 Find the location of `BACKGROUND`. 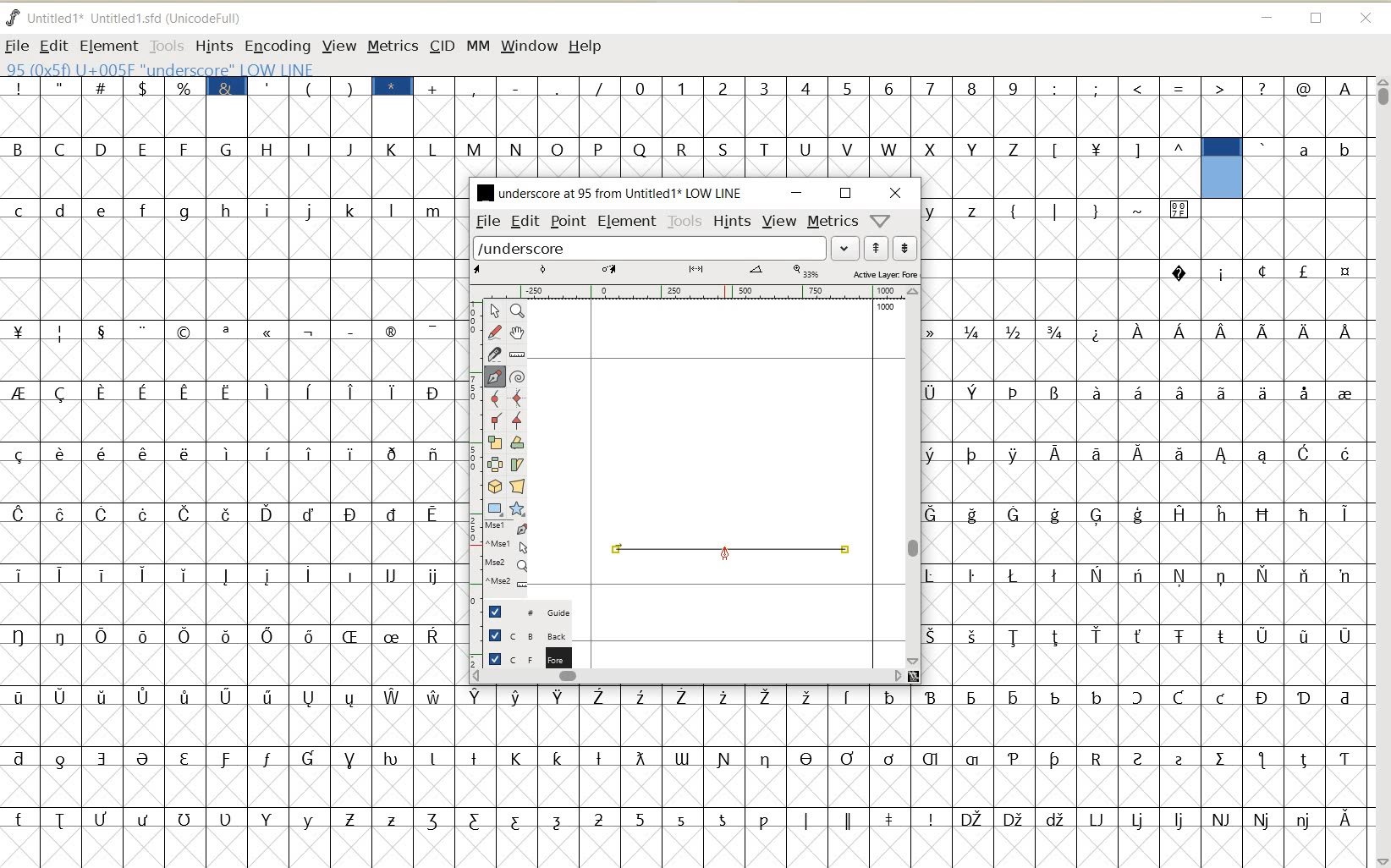

BACKGROUND is located at coordinates (522, 635).